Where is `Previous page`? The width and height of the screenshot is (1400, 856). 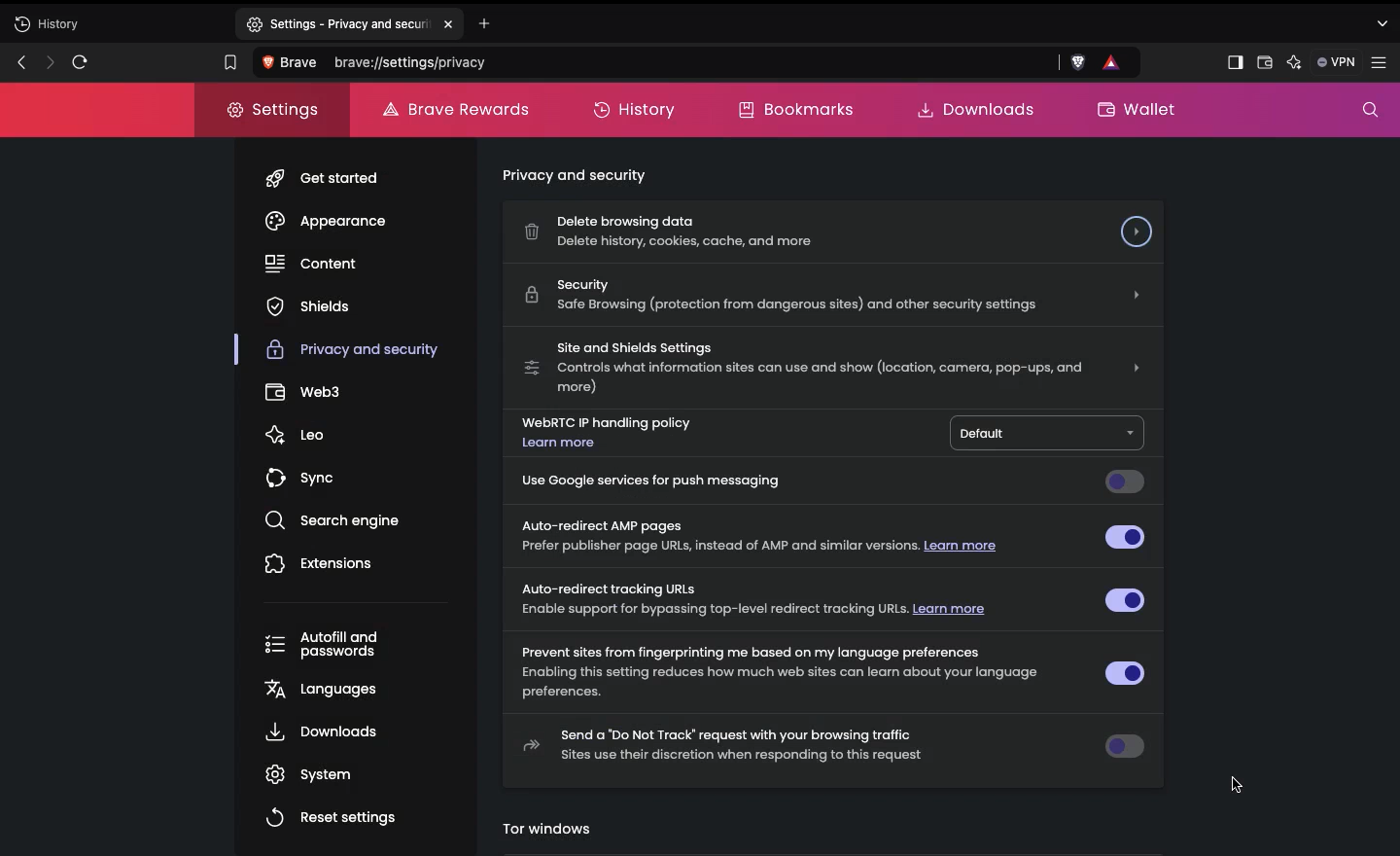
Previous page is located at coordinates (18, 61).